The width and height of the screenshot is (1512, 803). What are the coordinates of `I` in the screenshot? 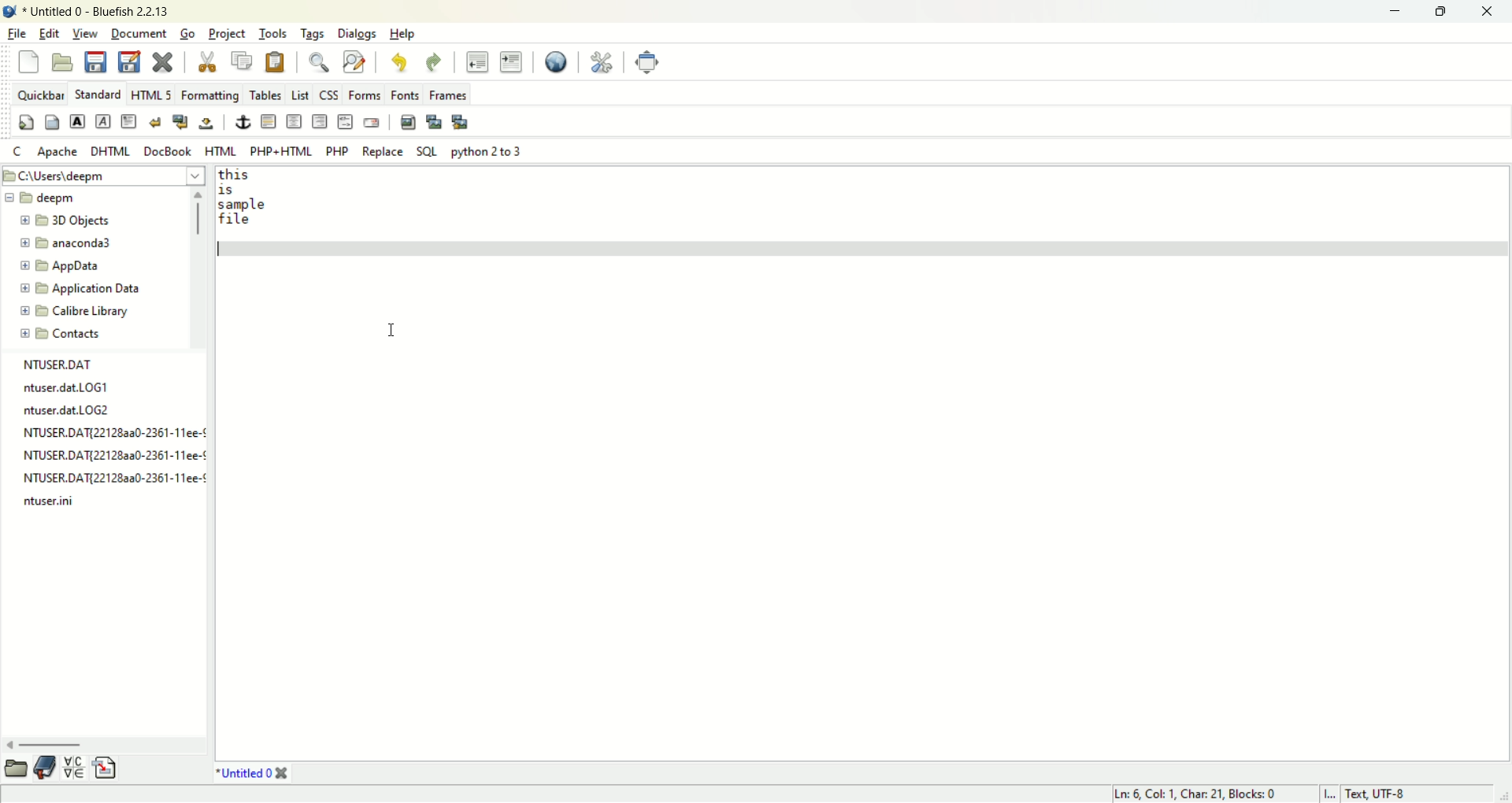 It's located at (1333, 794).